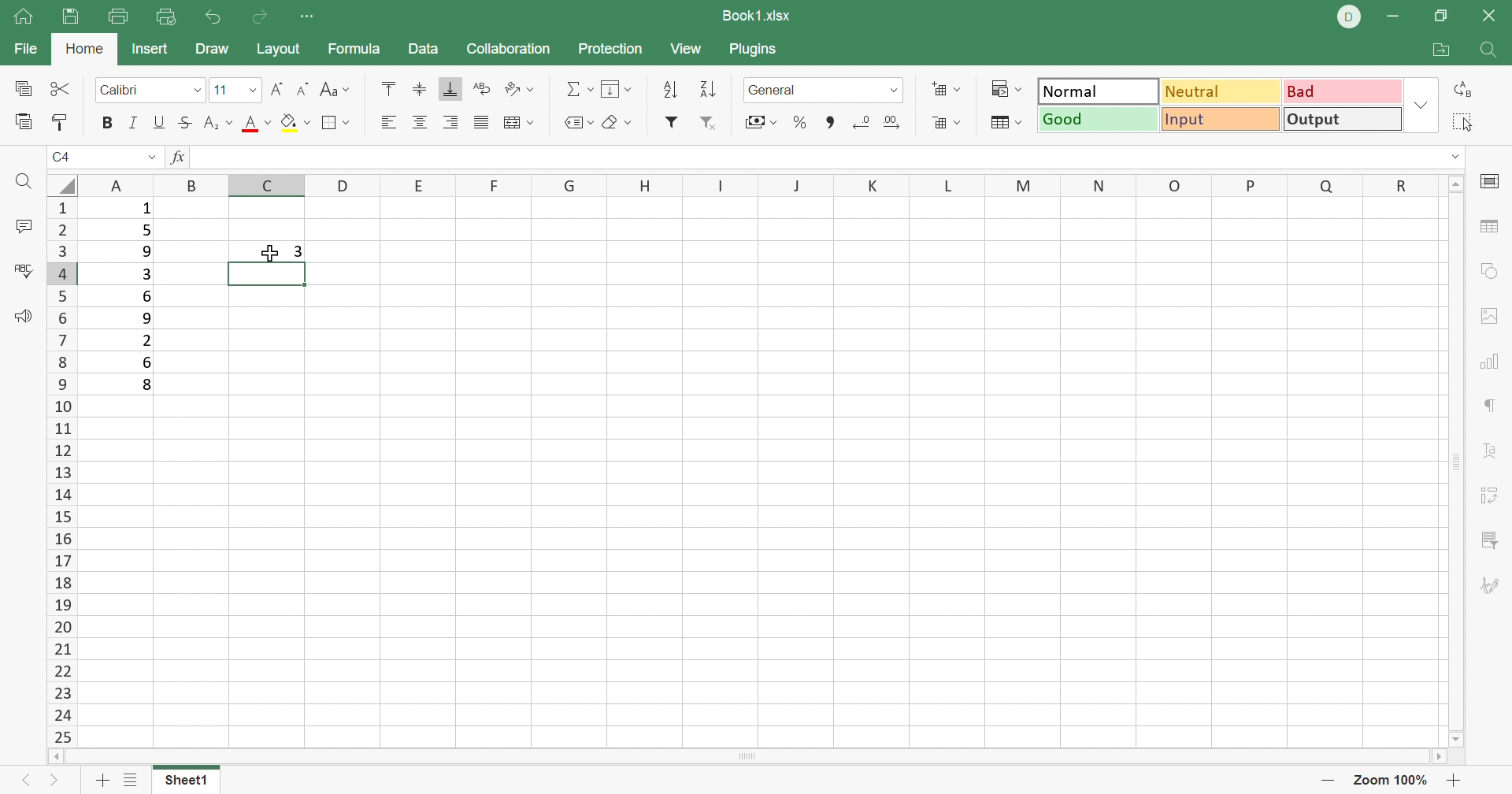  What do you see at coordinates (1492, 497) in the screenshot?
I see `Pivot table settings` at bounding box center [1492, 497].